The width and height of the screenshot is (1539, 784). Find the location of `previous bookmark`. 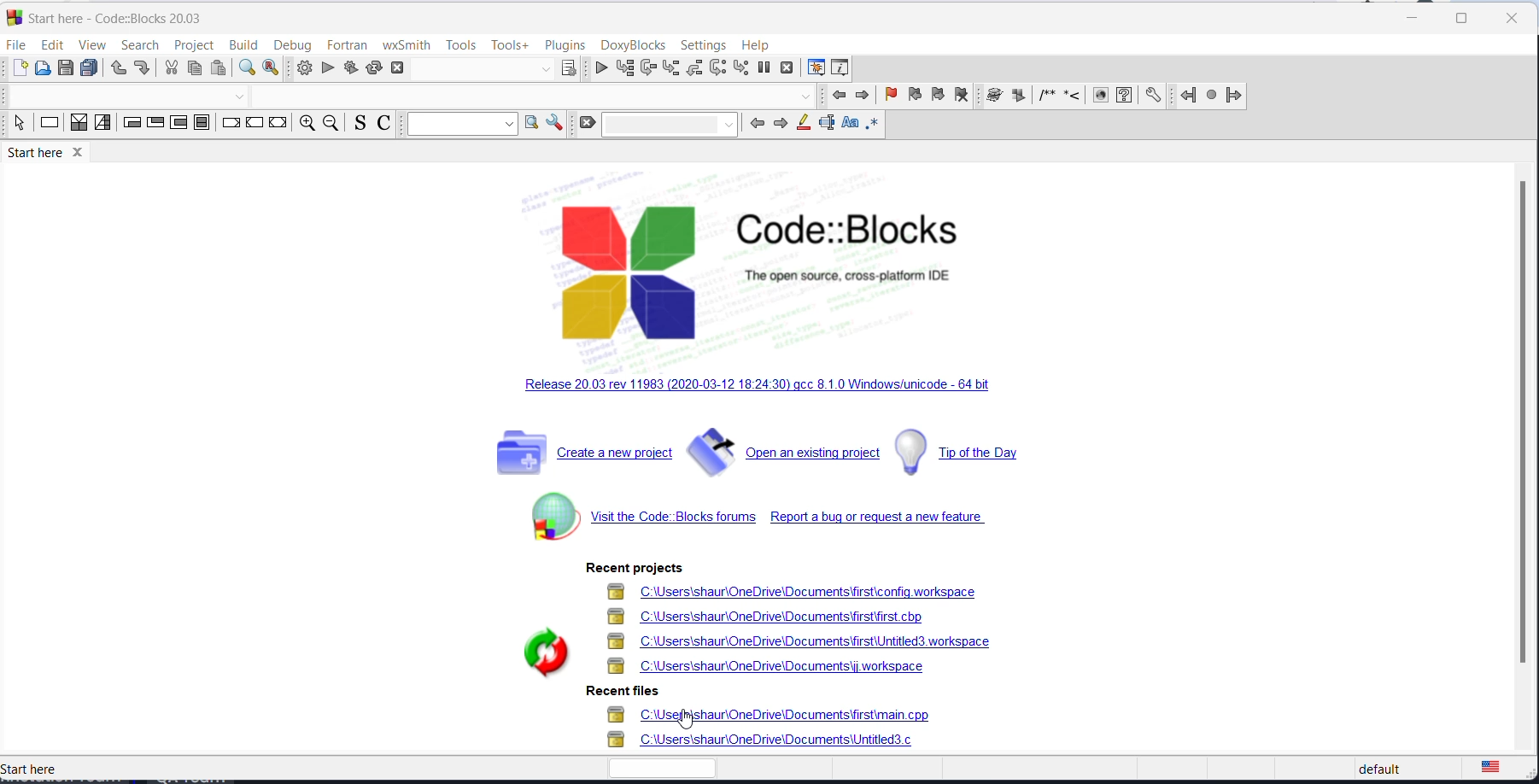

previous bookmark is located at coordinates (913, 94).